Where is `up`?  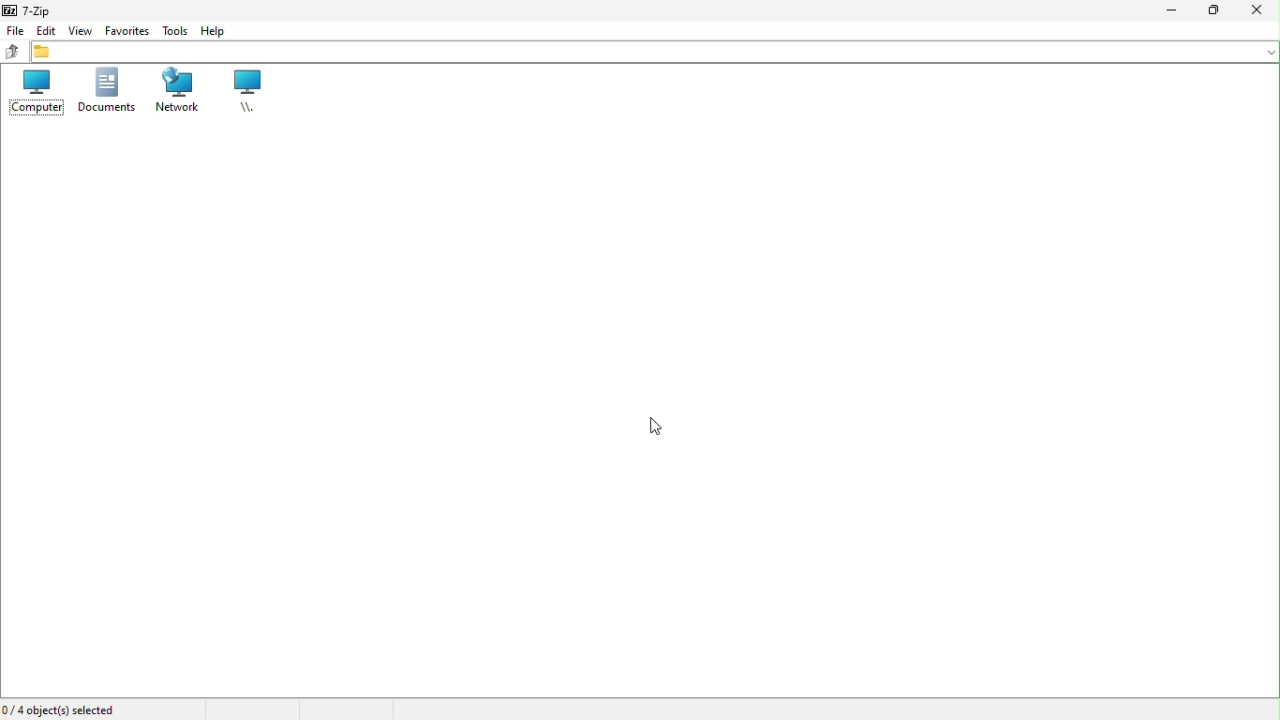
up is located at coordinates (13, 53).